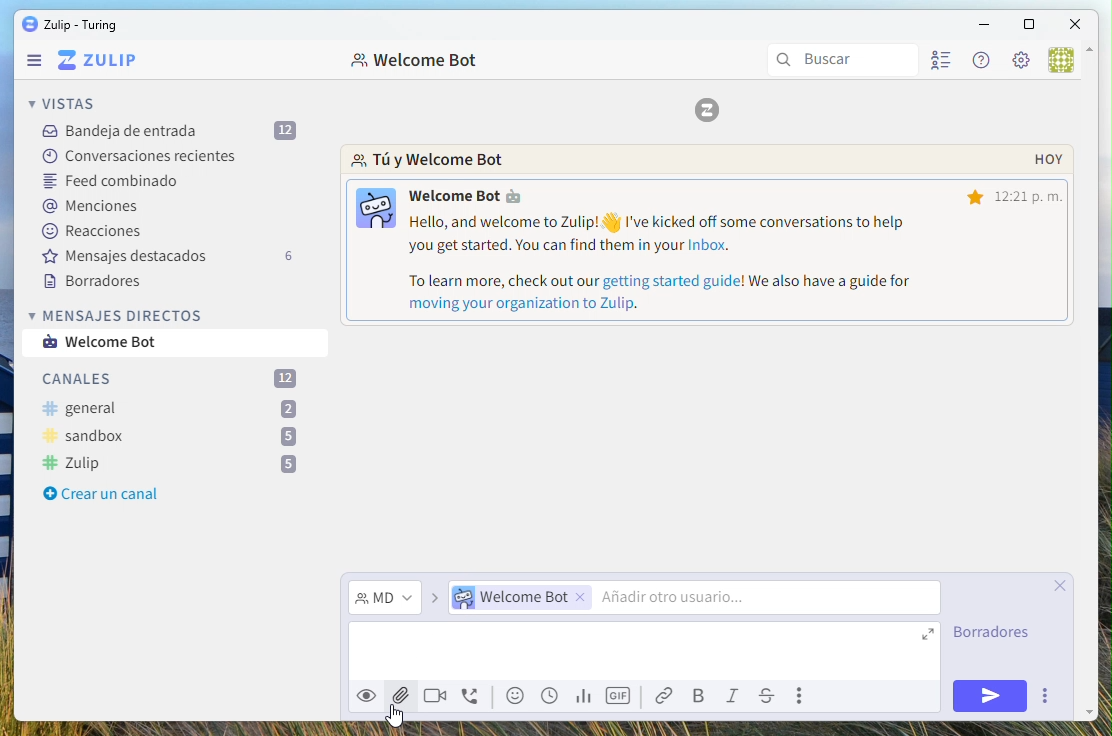 Image resolution: width=1112 pixels, height=736 pixels. Describe the element at coordinates (669, 696) in the screenshot. I see `links` at that location.